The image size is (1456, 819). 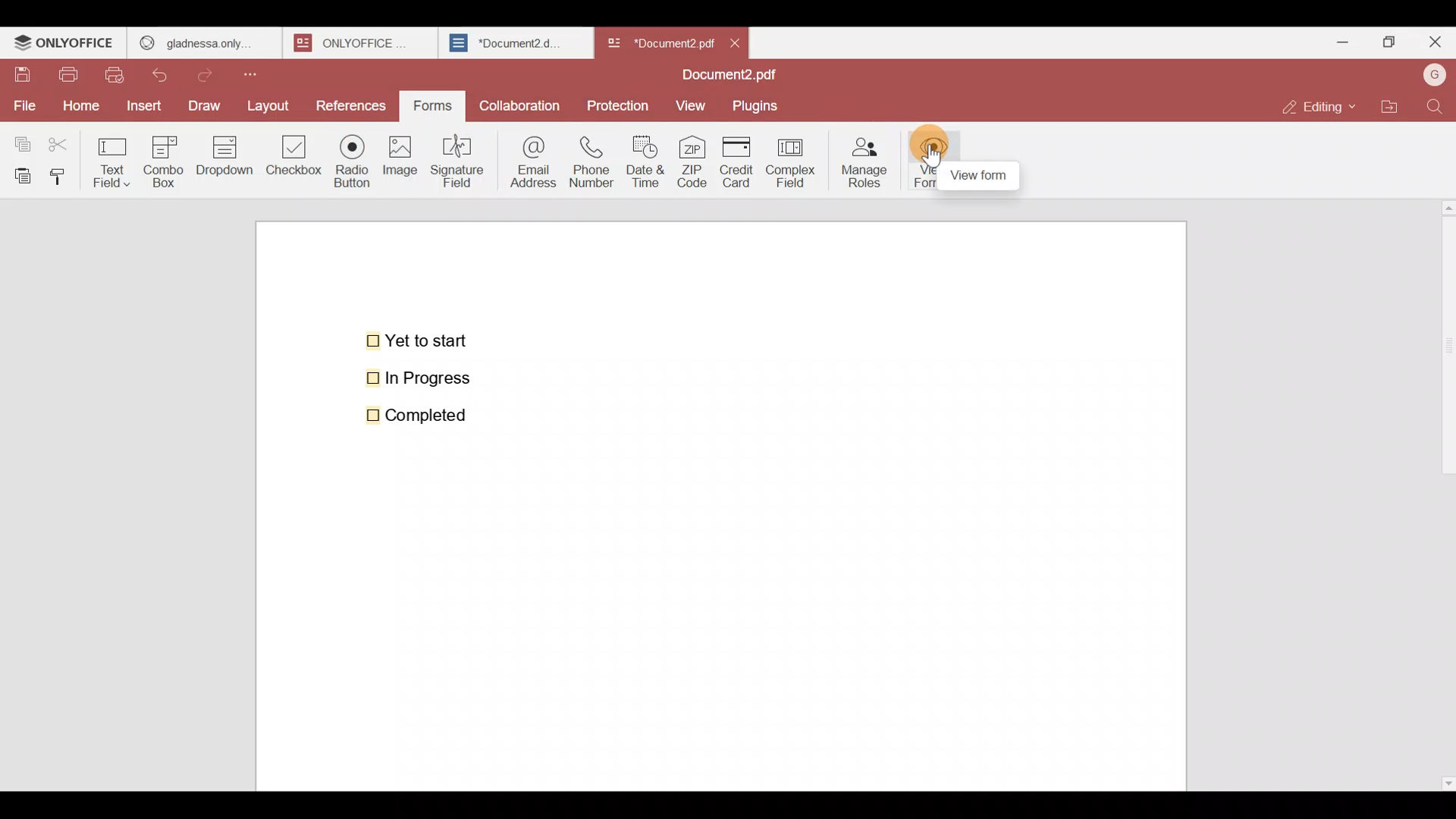 I want to click on Close, so click(x=1434, y=45).